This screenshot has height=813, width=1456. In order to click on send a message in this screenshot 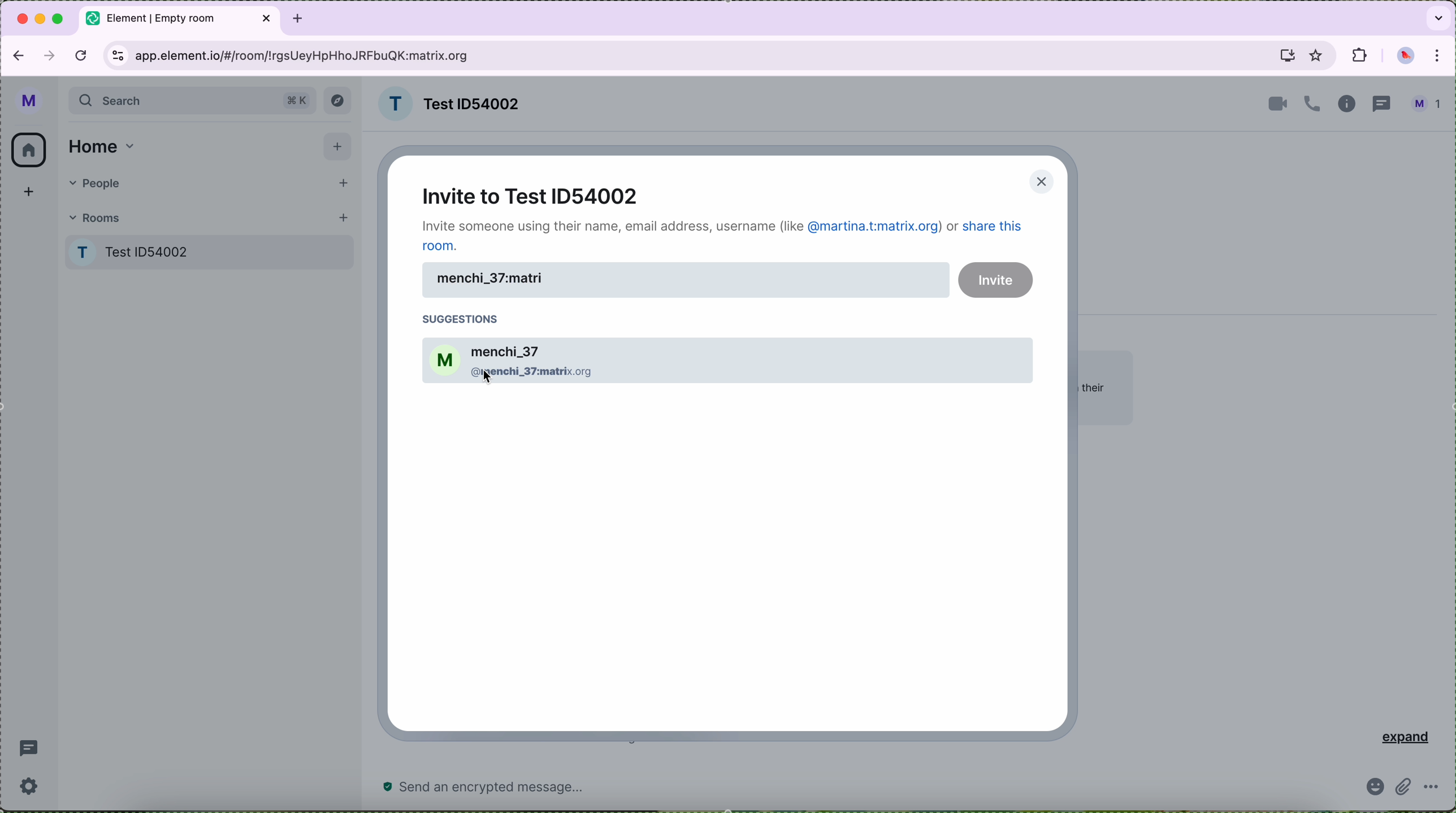, I will do `click(537, 788)`.